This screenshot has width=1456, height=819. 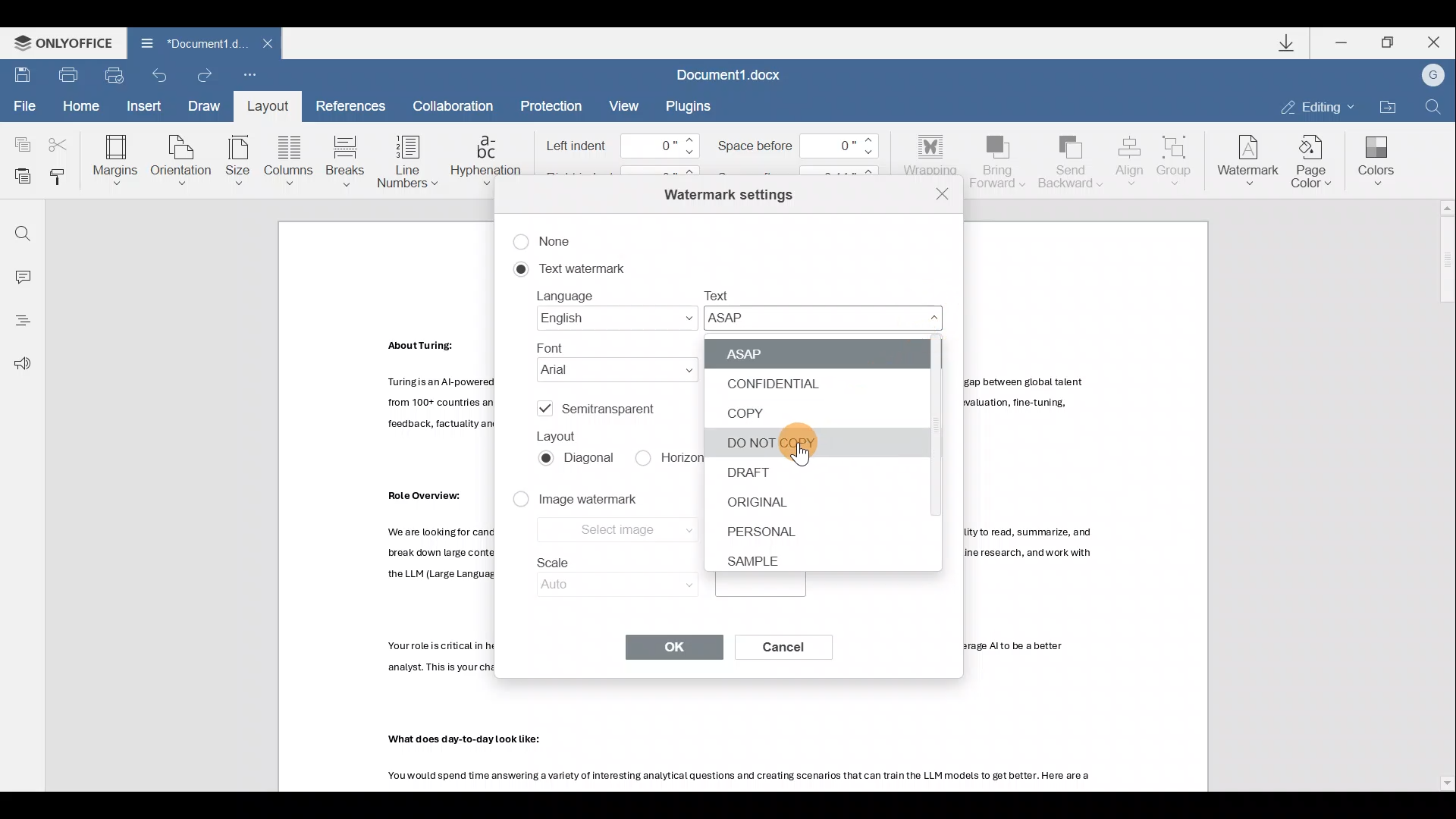 I want to click on Close, so click(x=271, y=43).